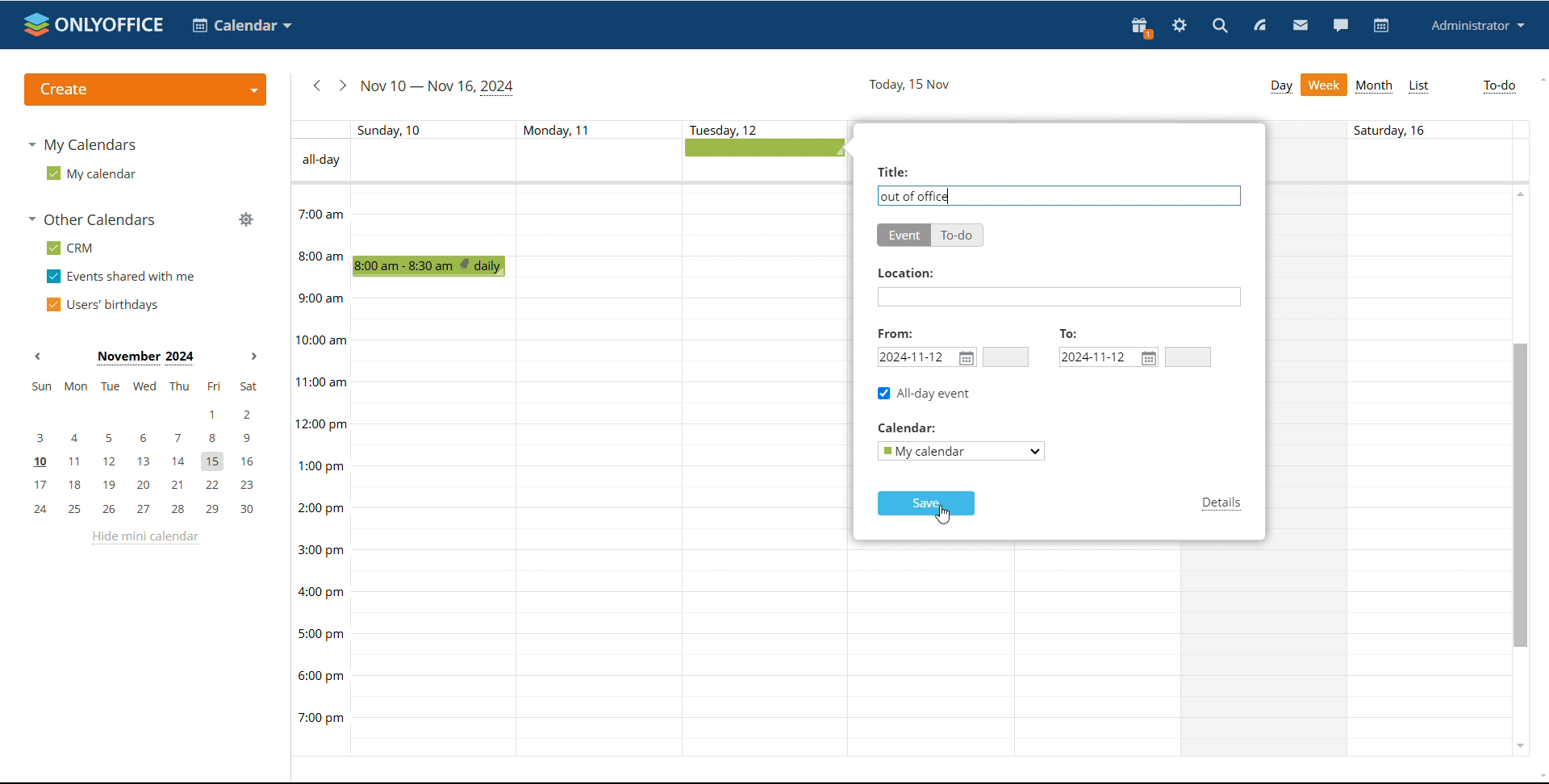 The width and height of the screenshot is (1549, 784). I want to click on crm, so click(70, 248).